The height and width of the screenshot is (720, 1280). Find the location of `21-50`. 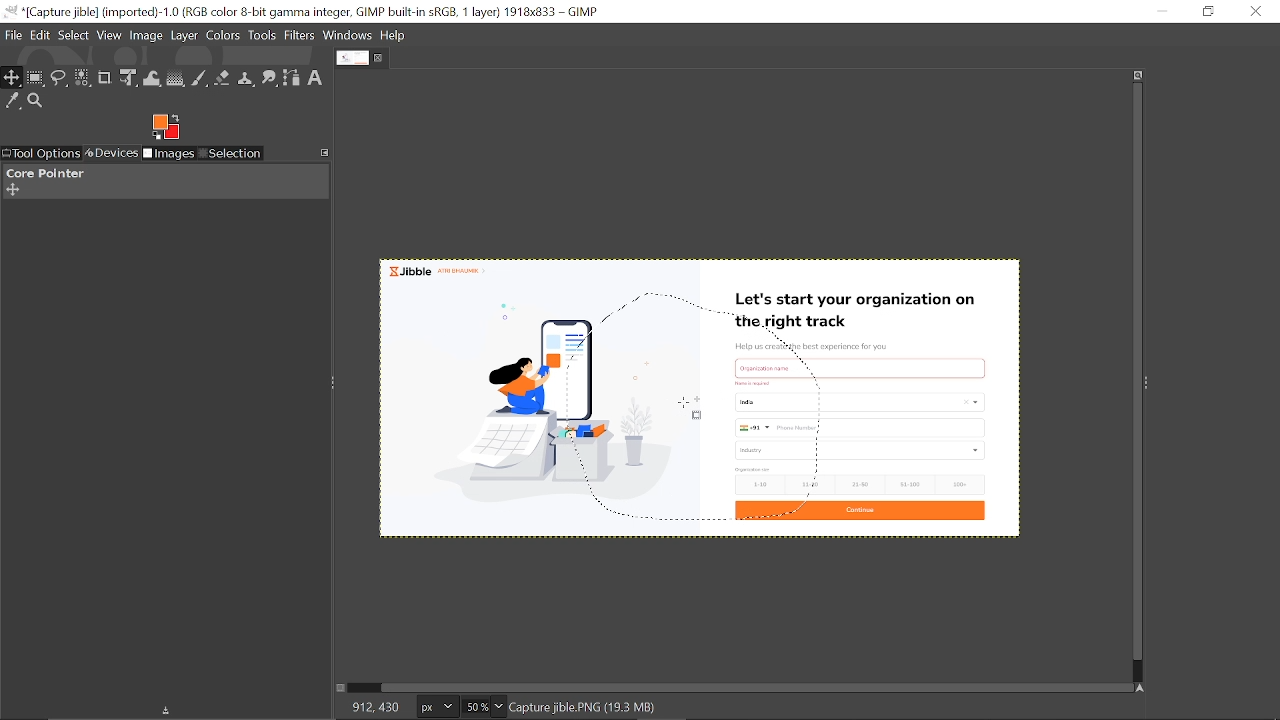

21-50 is located at coordinates (862, 484).